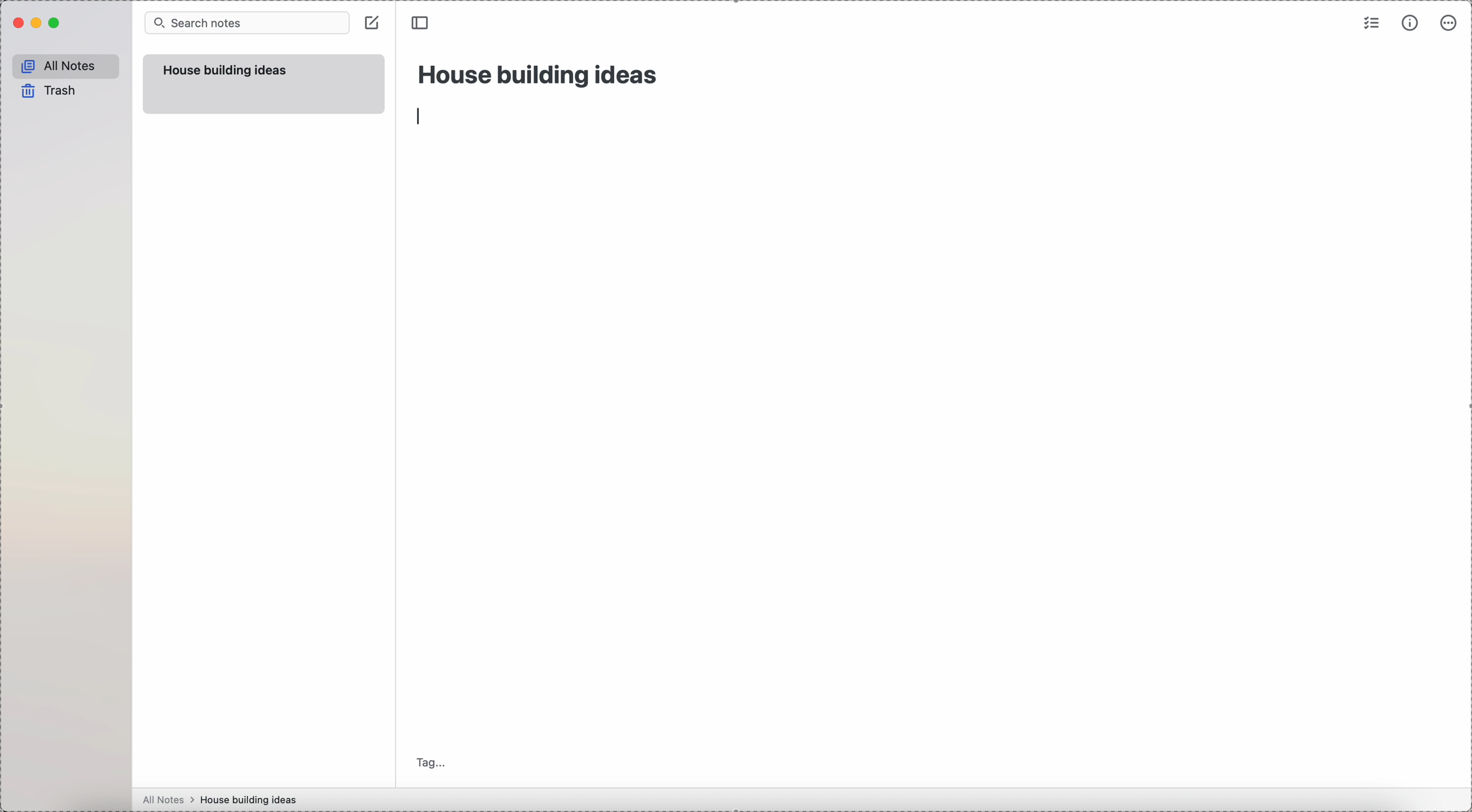  What do you see at coordinates (18, 23) in the screenshot?
I see `close Simplenote` at bounding box center [18, 23].